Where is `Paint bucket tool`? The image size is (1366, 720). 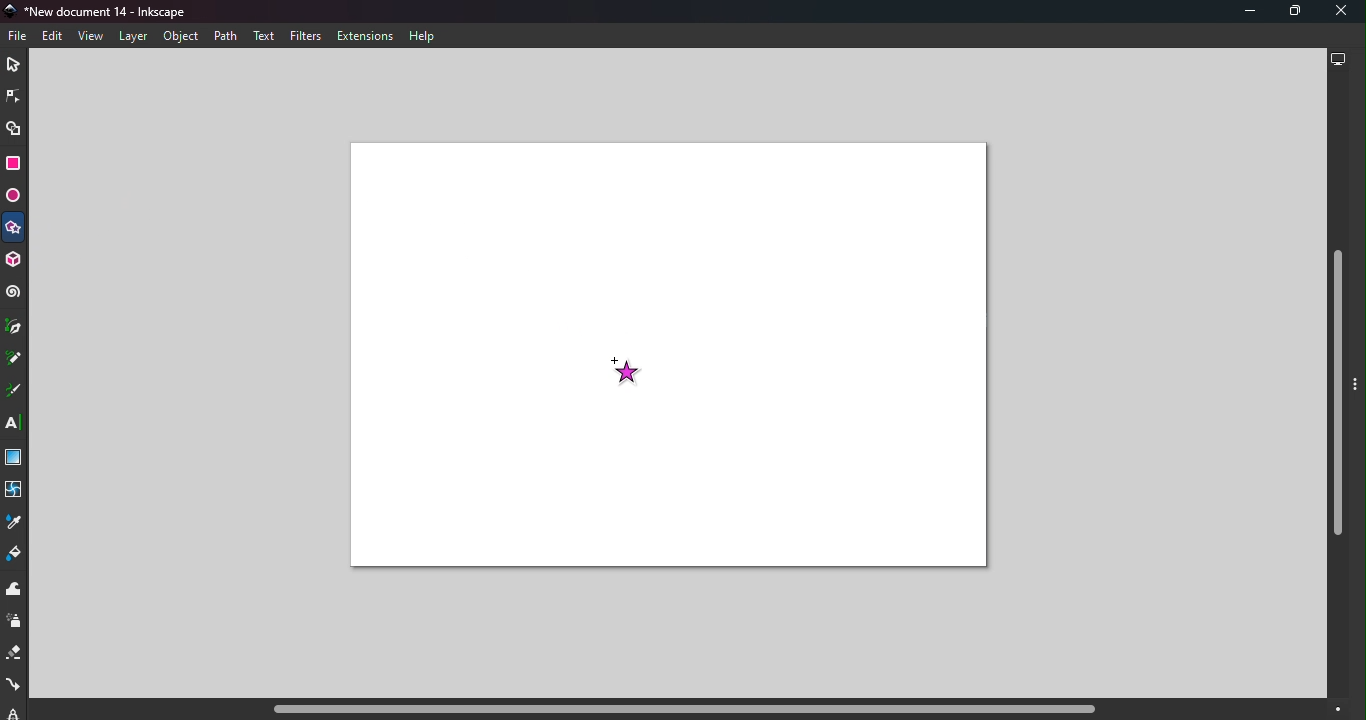 Paint bucket tool is located at coordinates (16, 556).